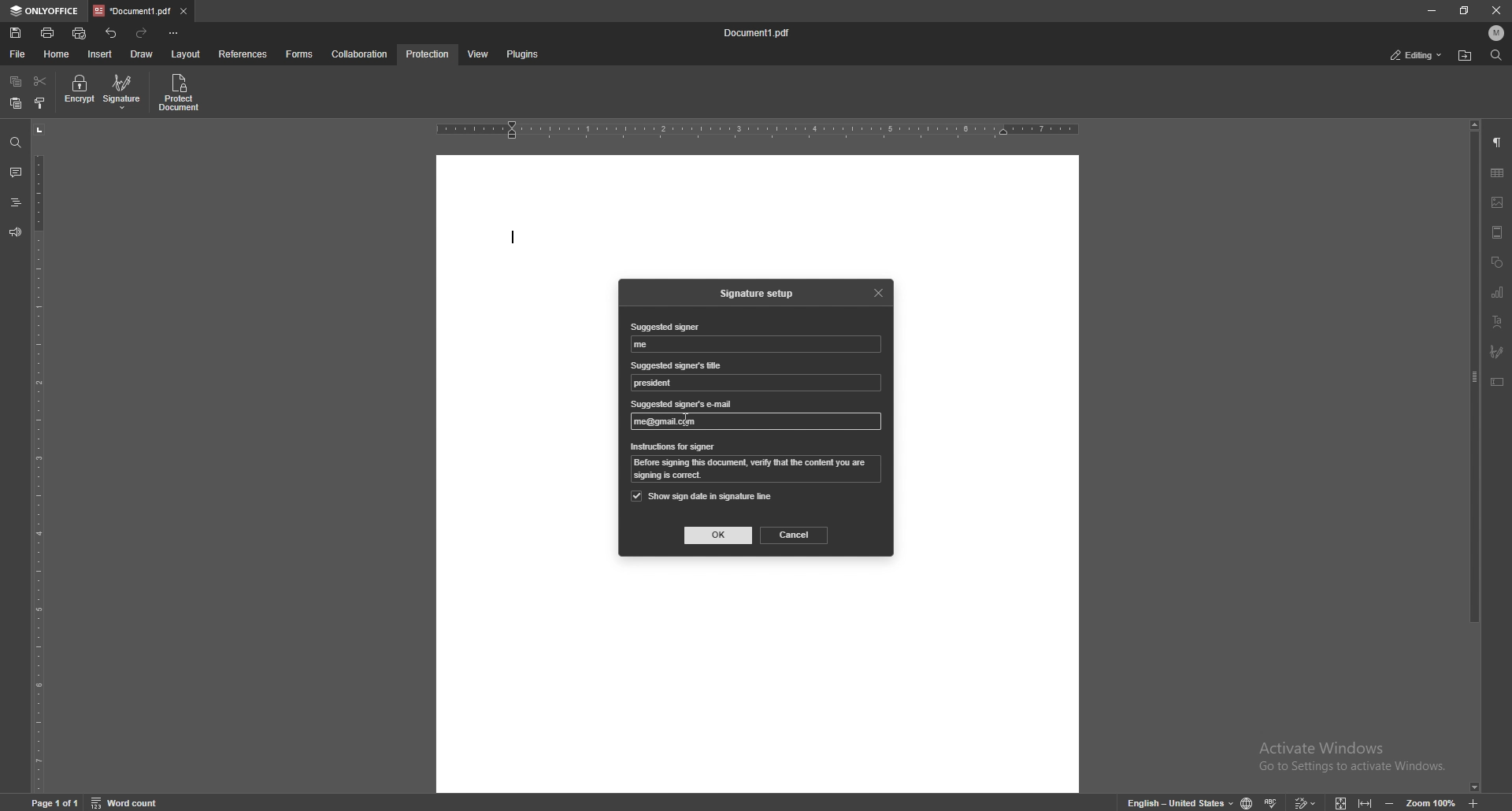  Describe the element at coordinates (702, 496) in the screenshot. I see `show sign date` at that location.